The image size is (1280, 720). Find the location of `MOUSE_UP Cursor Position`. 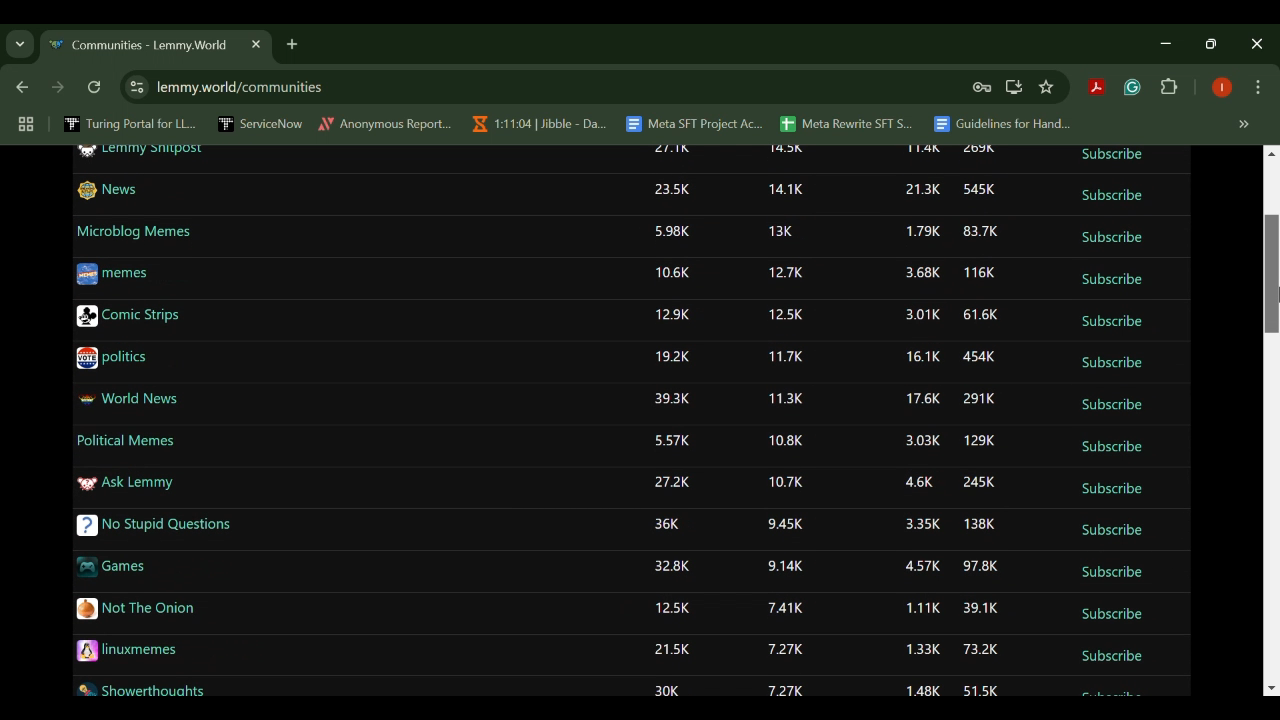

MOUSE_UP Cursor Position is located at coordinates (1271, 299).